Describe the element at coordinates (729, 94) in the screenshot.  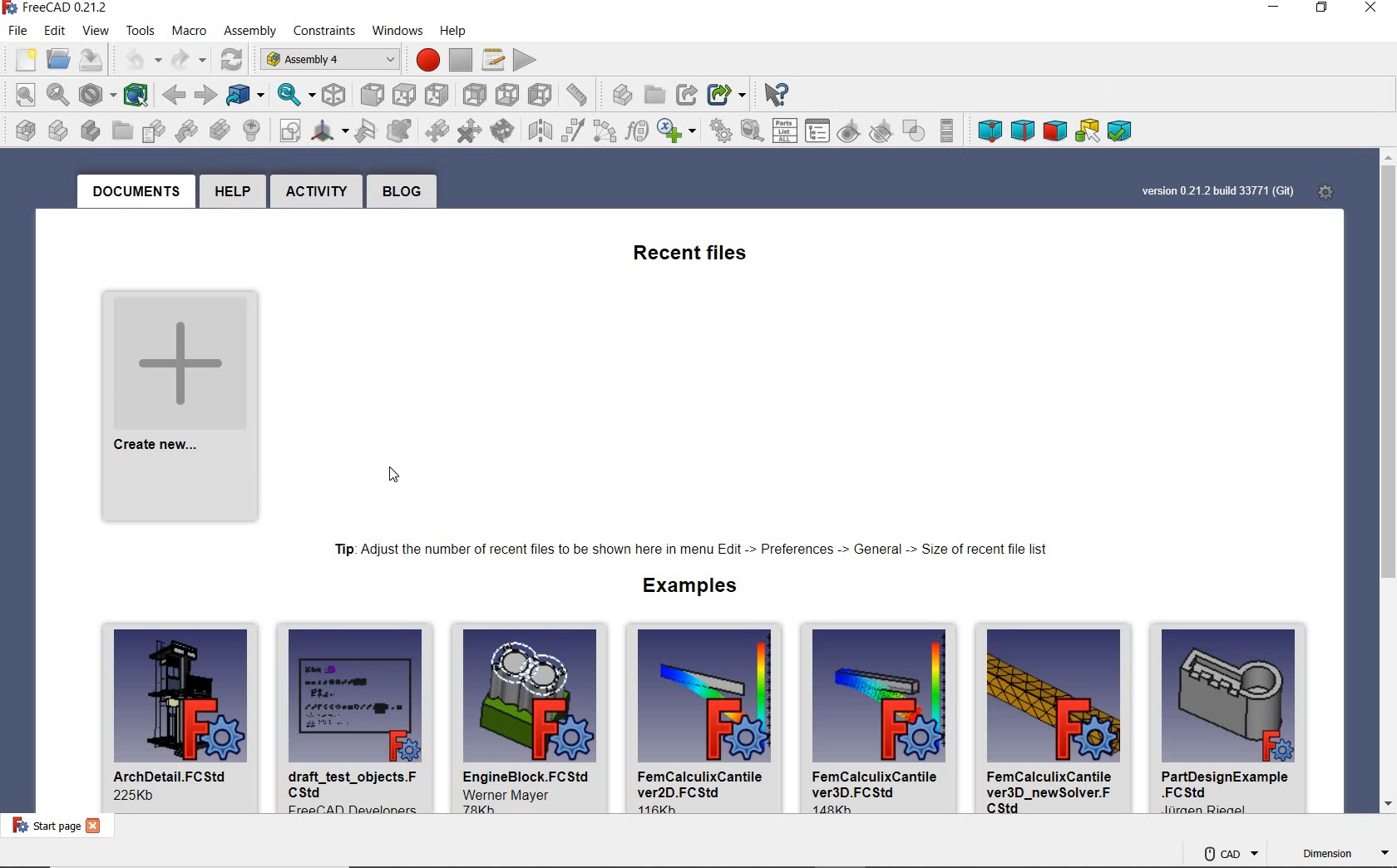
I see `MAKE SUB-LINK` at that location.